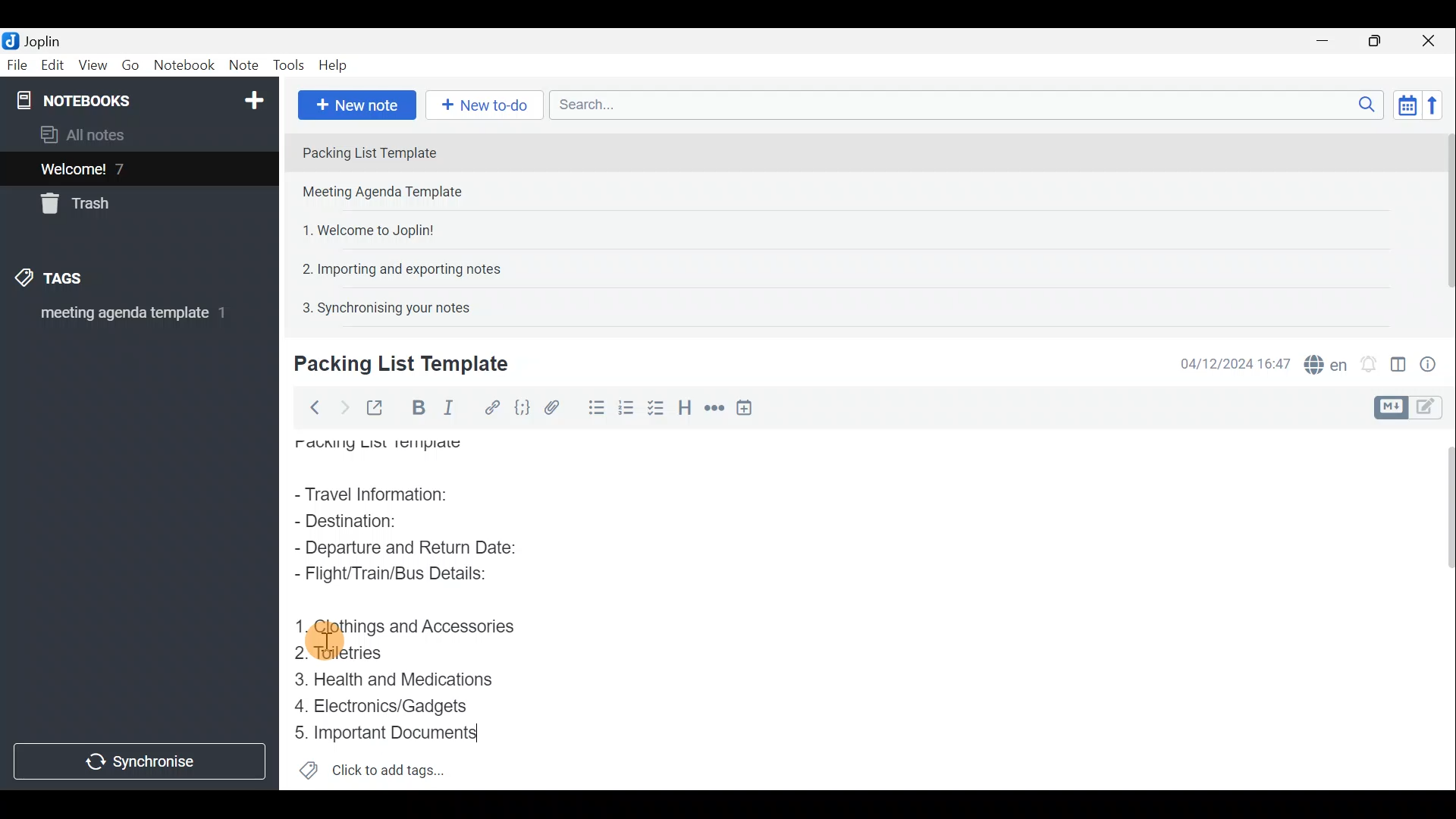 The image size is (1456, 819). What do you see at coordinates (454, 407) in the screenshot?
I see `Italic` at bounding box center [454, 407].